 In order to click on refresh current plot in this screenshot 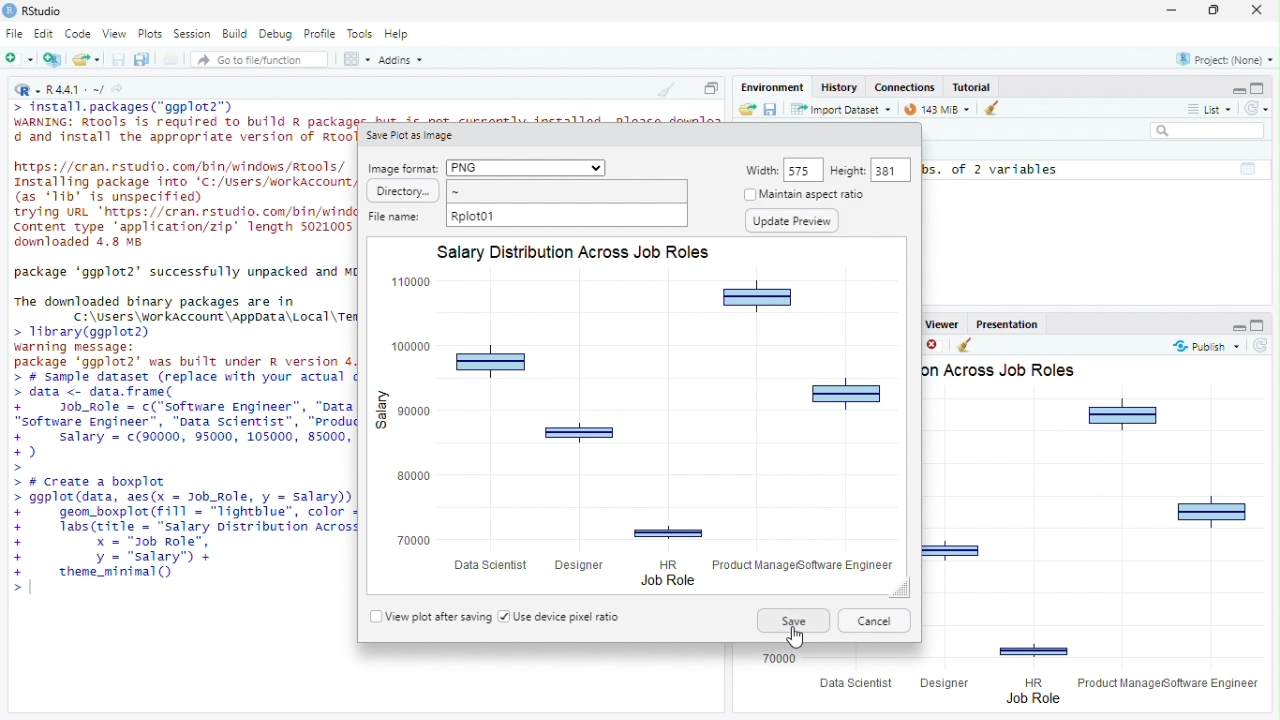, I will do `click(1262, 345)`.